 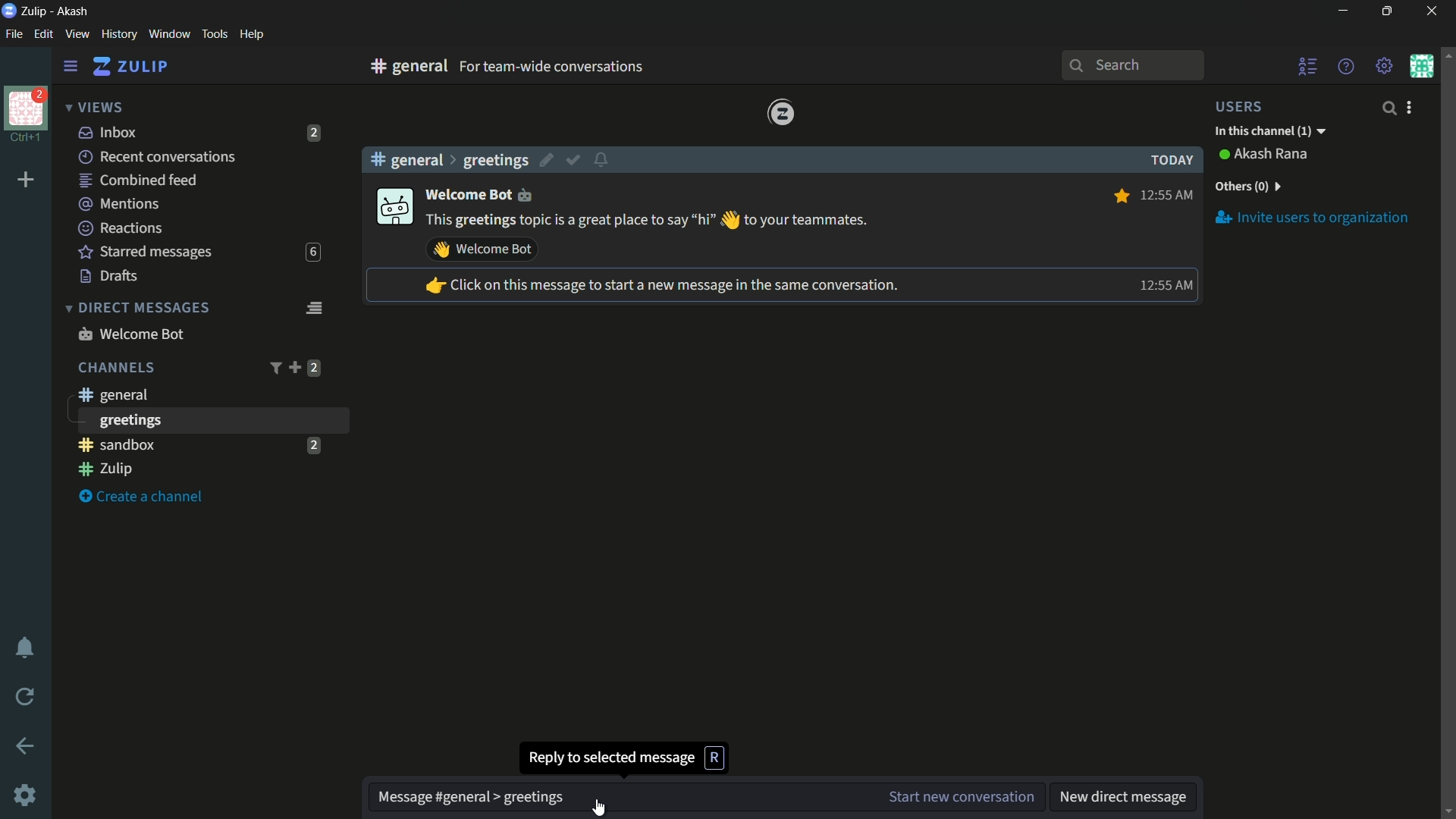 What do you see at coordinates (1247, 187) in the screenshot?
I see `others (0)` at bounding box center [1247, 187].